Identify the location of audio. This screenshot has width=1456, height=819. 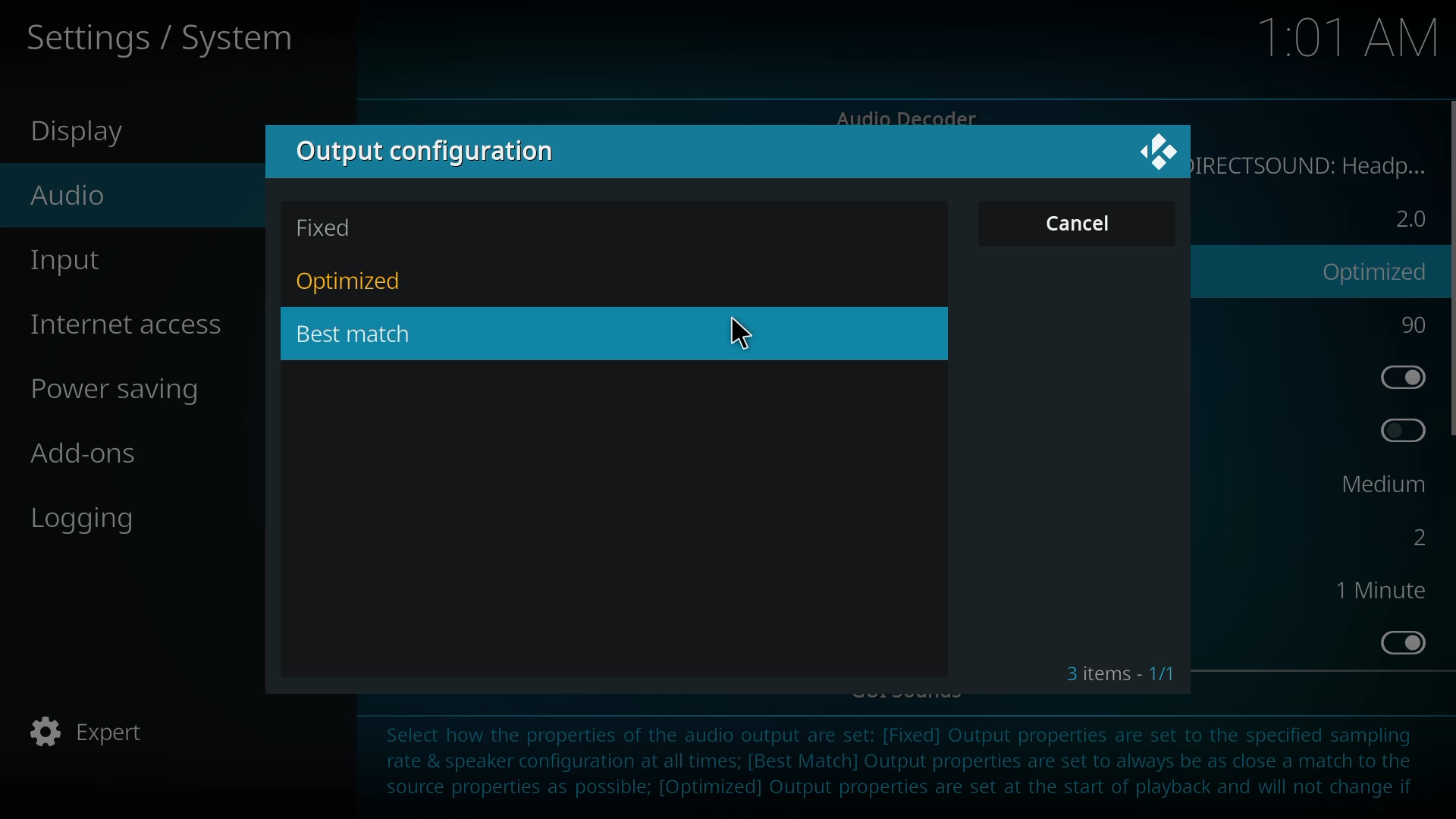
(77, 198).